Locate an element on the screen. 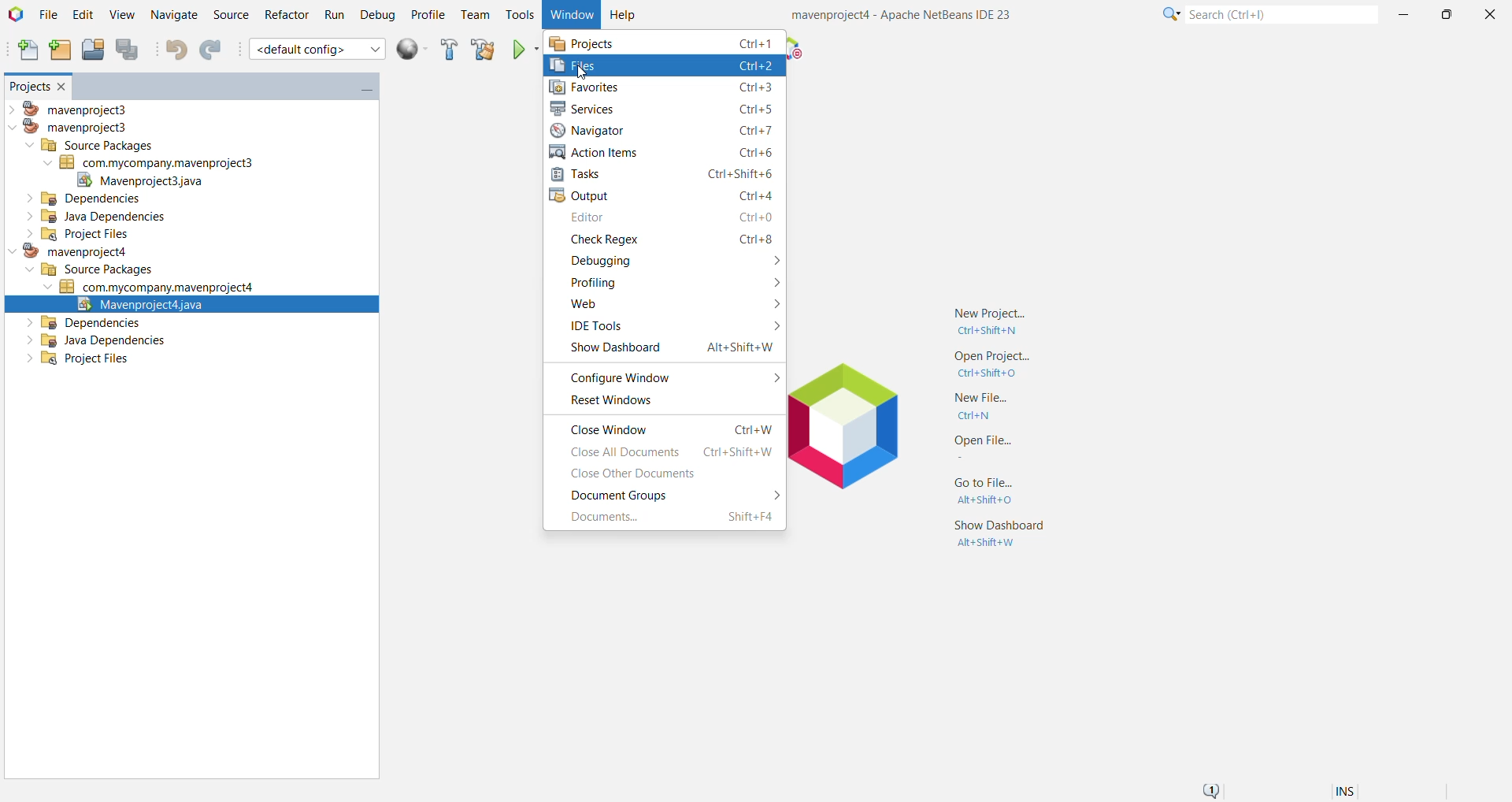  mavenproject4 is located at coordinates (66, 253).